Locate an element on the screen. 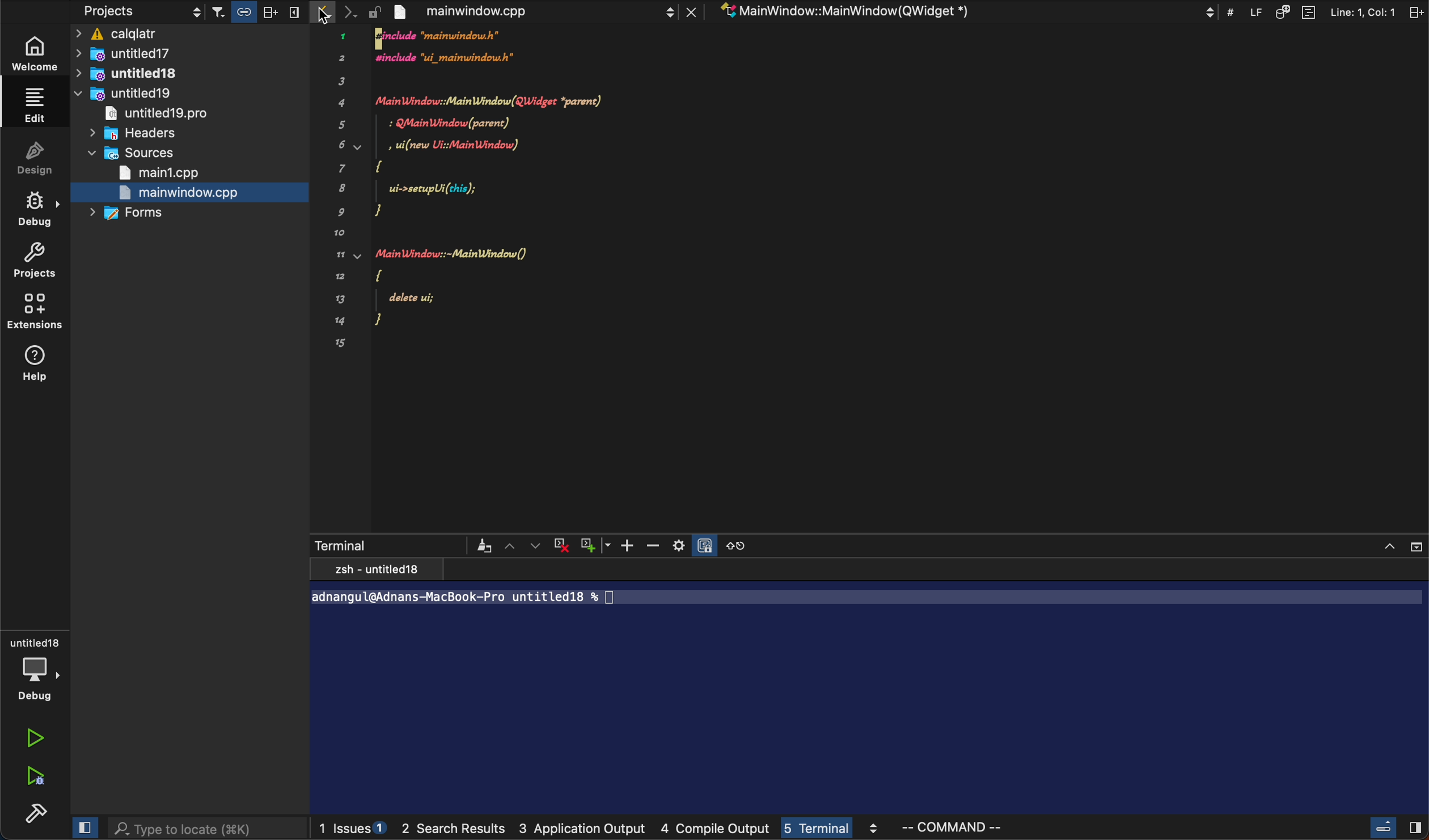  close slide bar is located at coordinates (85, 827).